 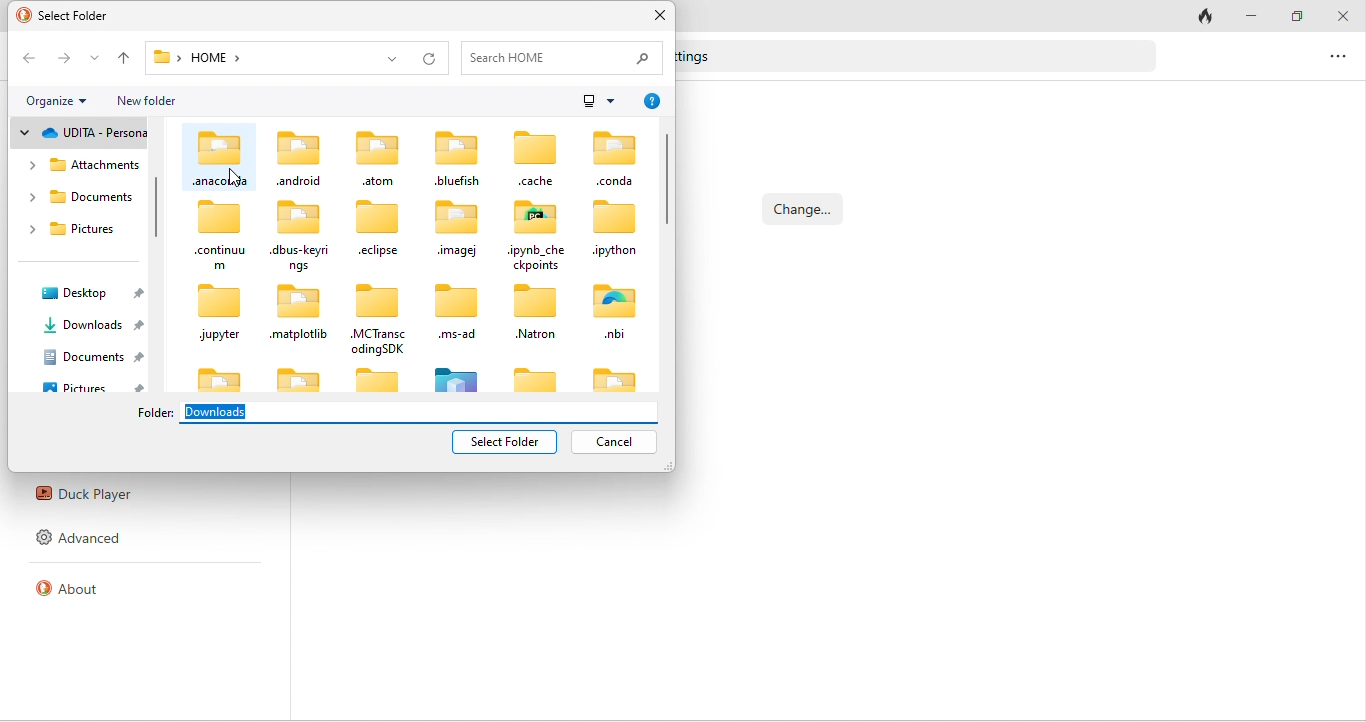 I want to click on pictures, so click(x=88, y=387).